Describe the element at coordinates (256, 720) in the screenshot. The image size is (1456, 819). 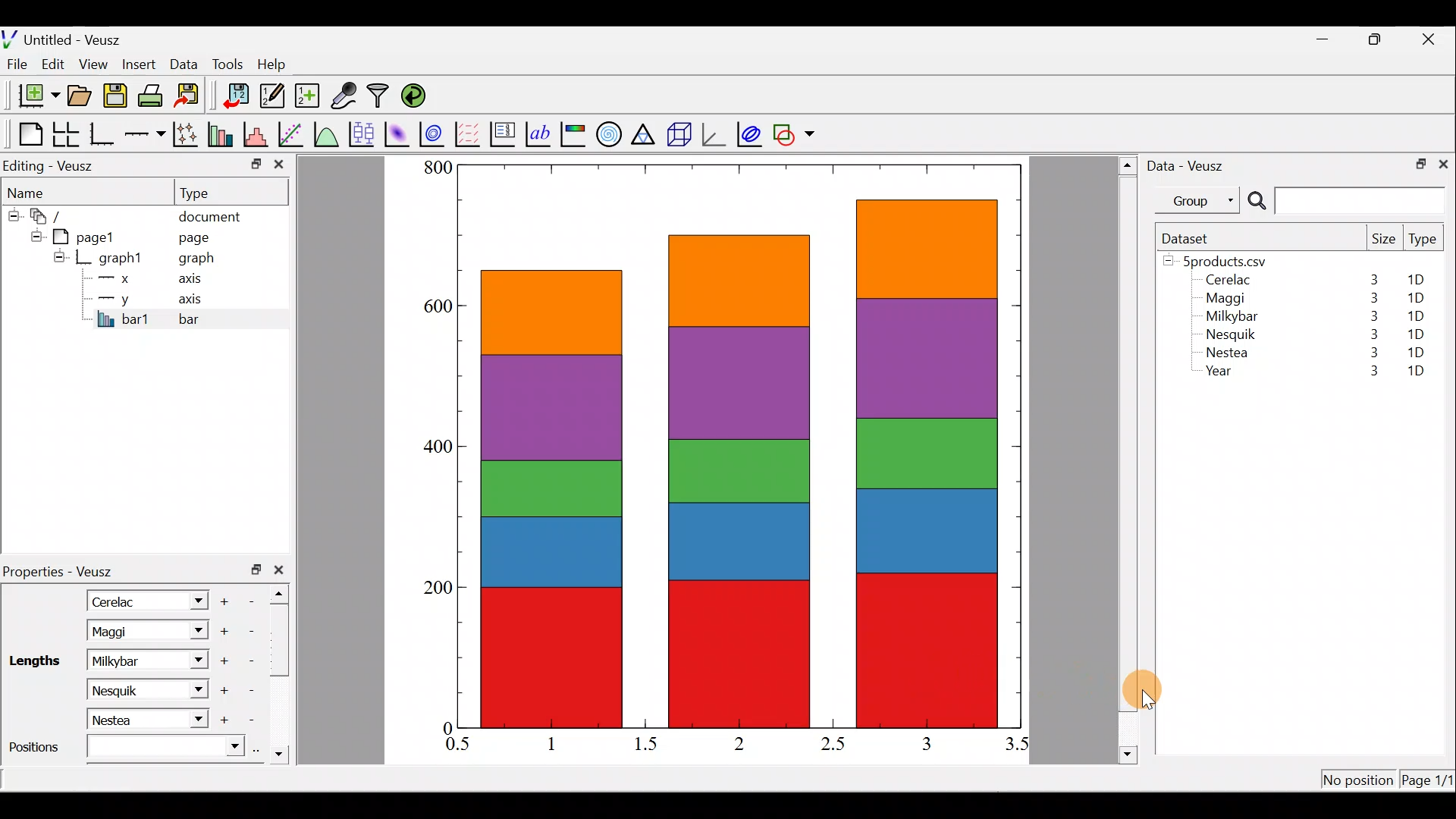
I see `Remove item` at that location.